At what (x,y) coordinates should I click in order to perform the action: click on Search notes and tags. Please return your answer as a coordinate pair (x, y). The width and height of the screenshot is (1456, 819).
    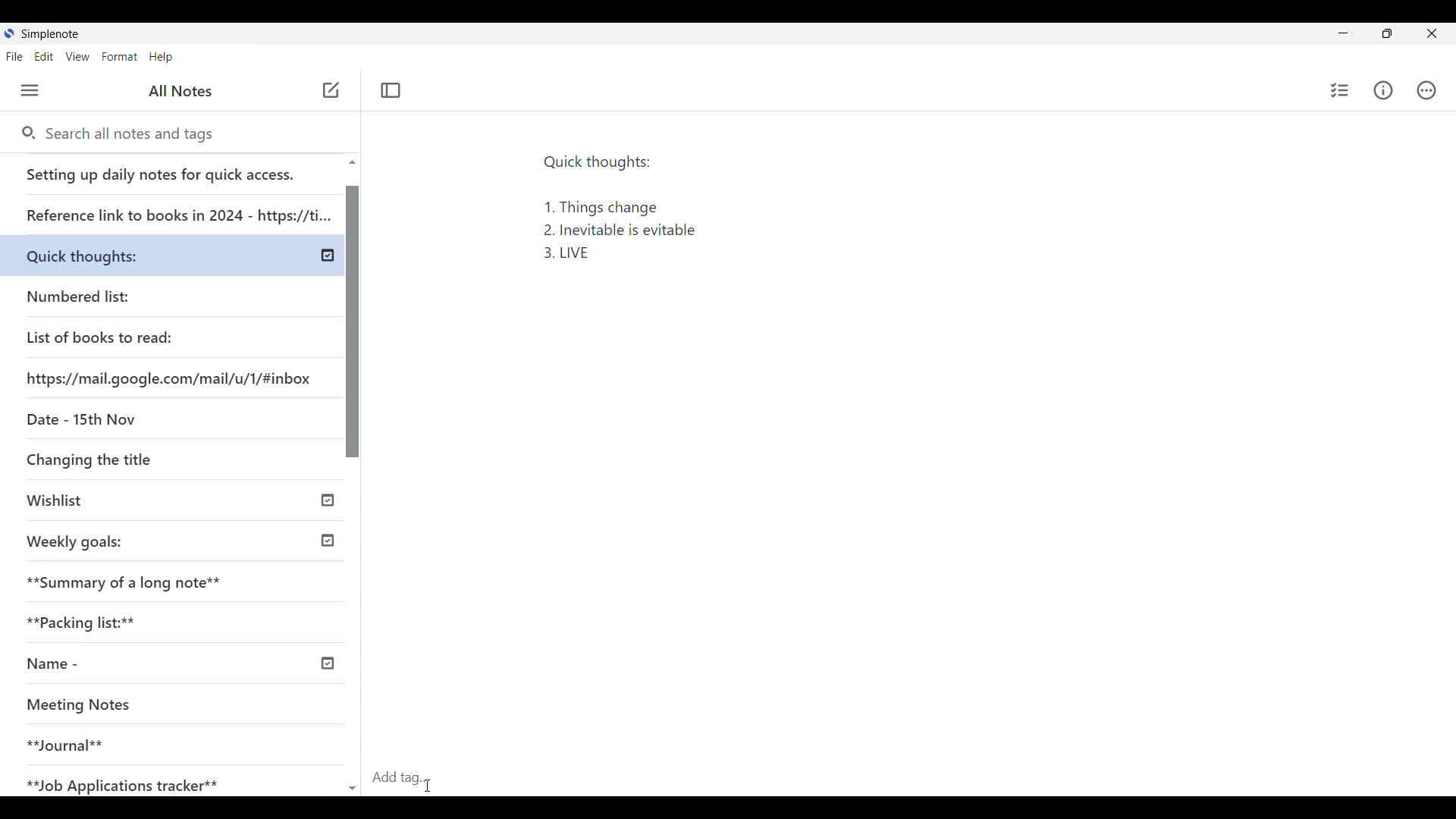
    Looking at the image, I should click on (136, 134).